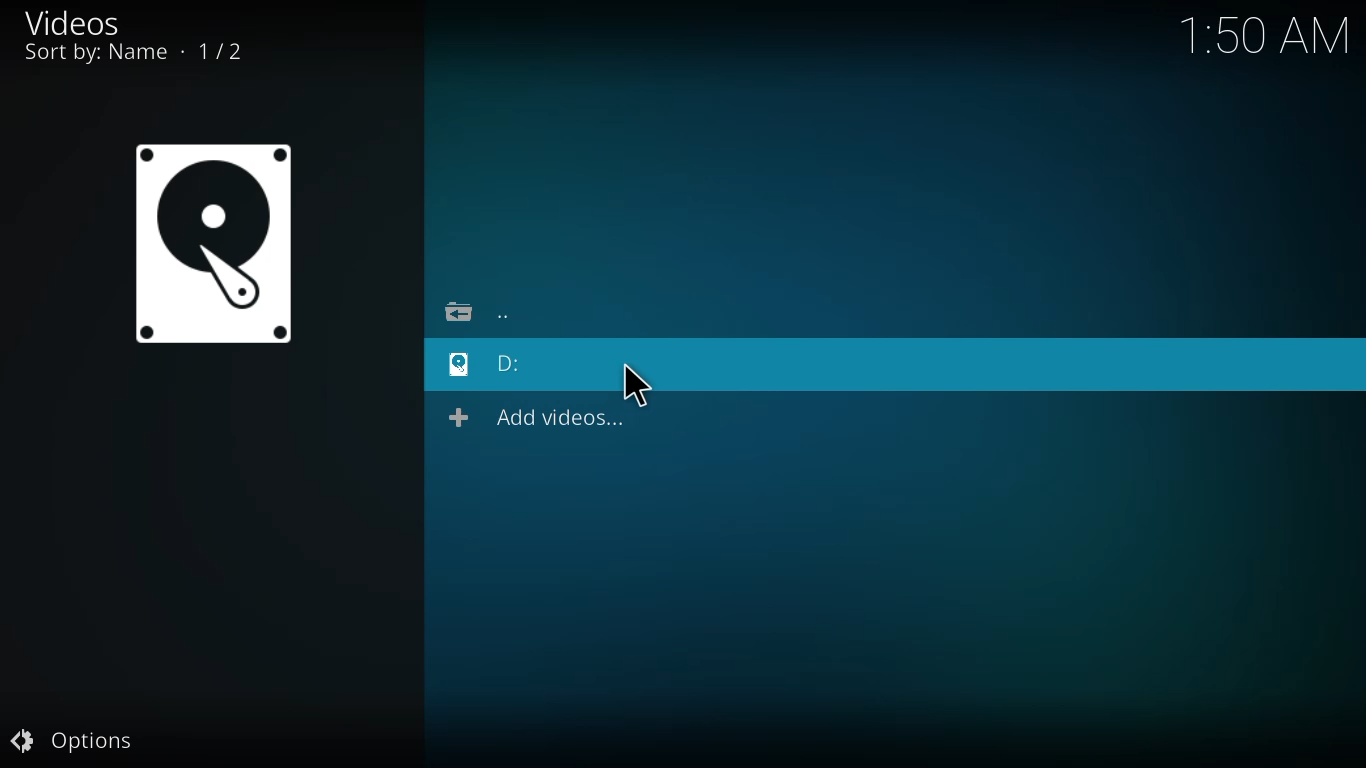 The width and height of the screenshot is (1366, 768). I want to click on options, so click(76, 741).